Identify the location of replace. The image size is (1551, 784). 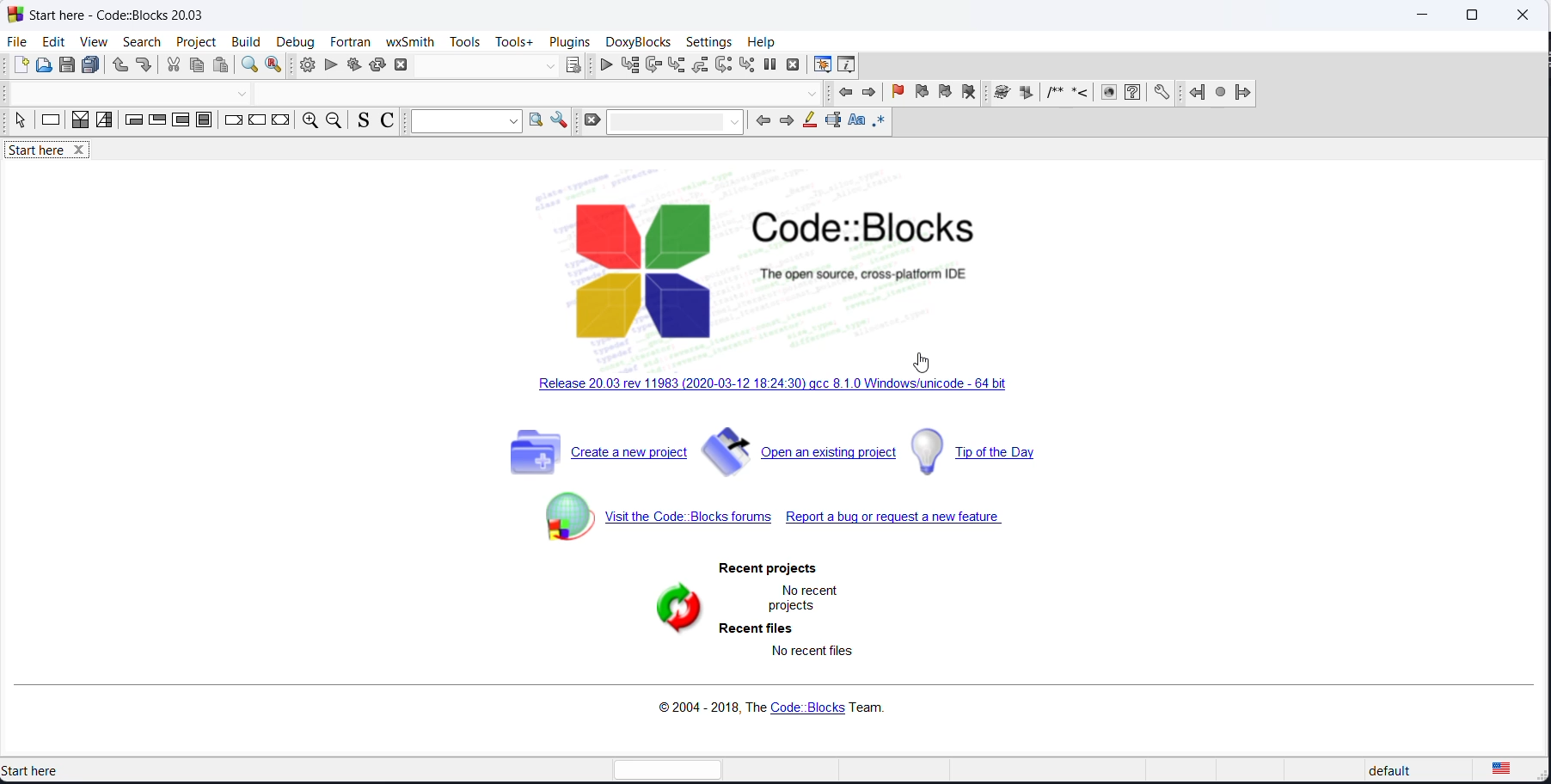
(277, 65).